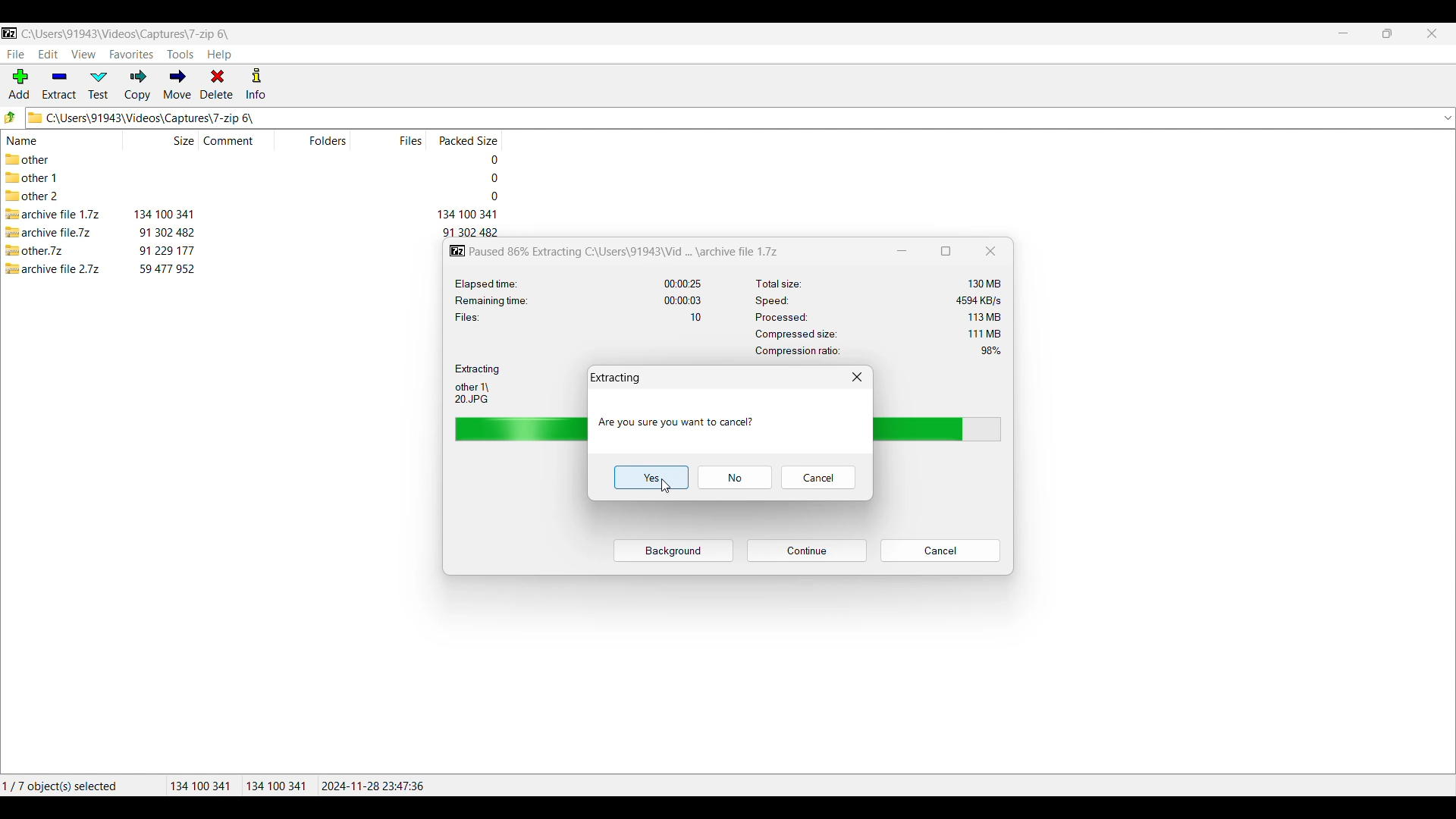  What do you see at coordinates (651, 478) in the screenshot?
I see `Yes` at bounding box center [651, 478].